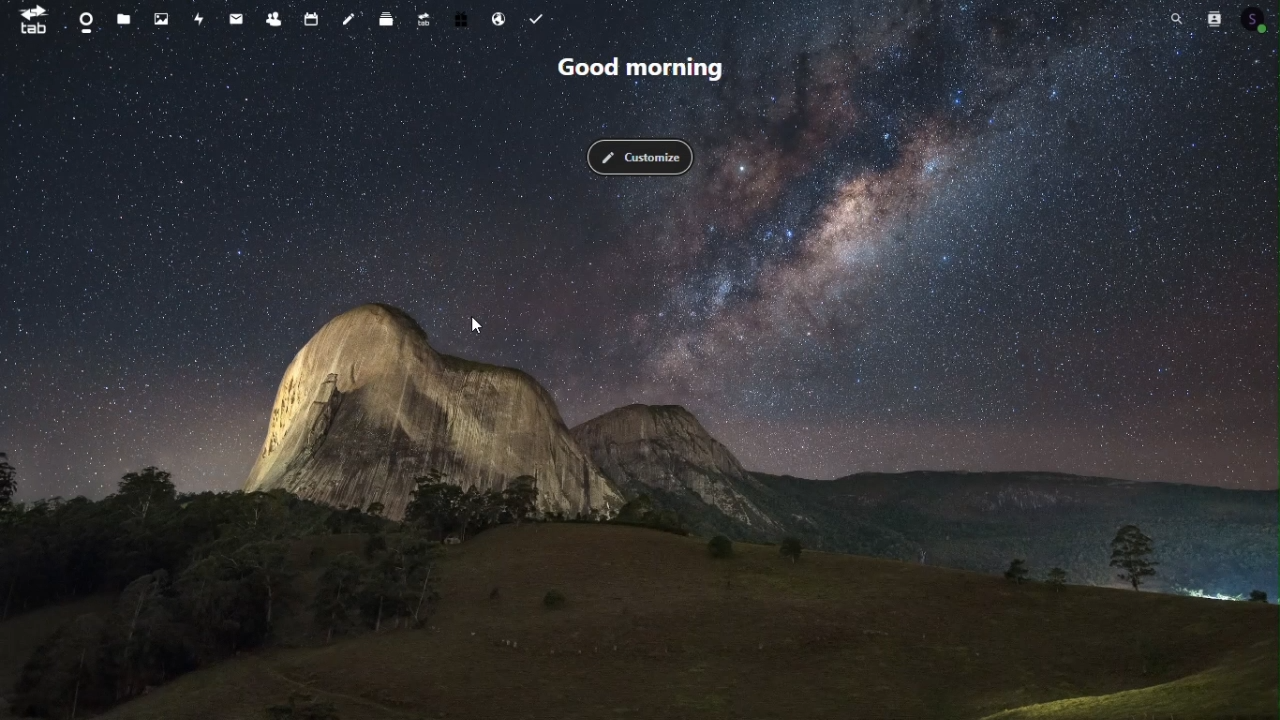  Describe the element at coordinates (463, 16) in the screenshot. I see `Free trial` at that location.